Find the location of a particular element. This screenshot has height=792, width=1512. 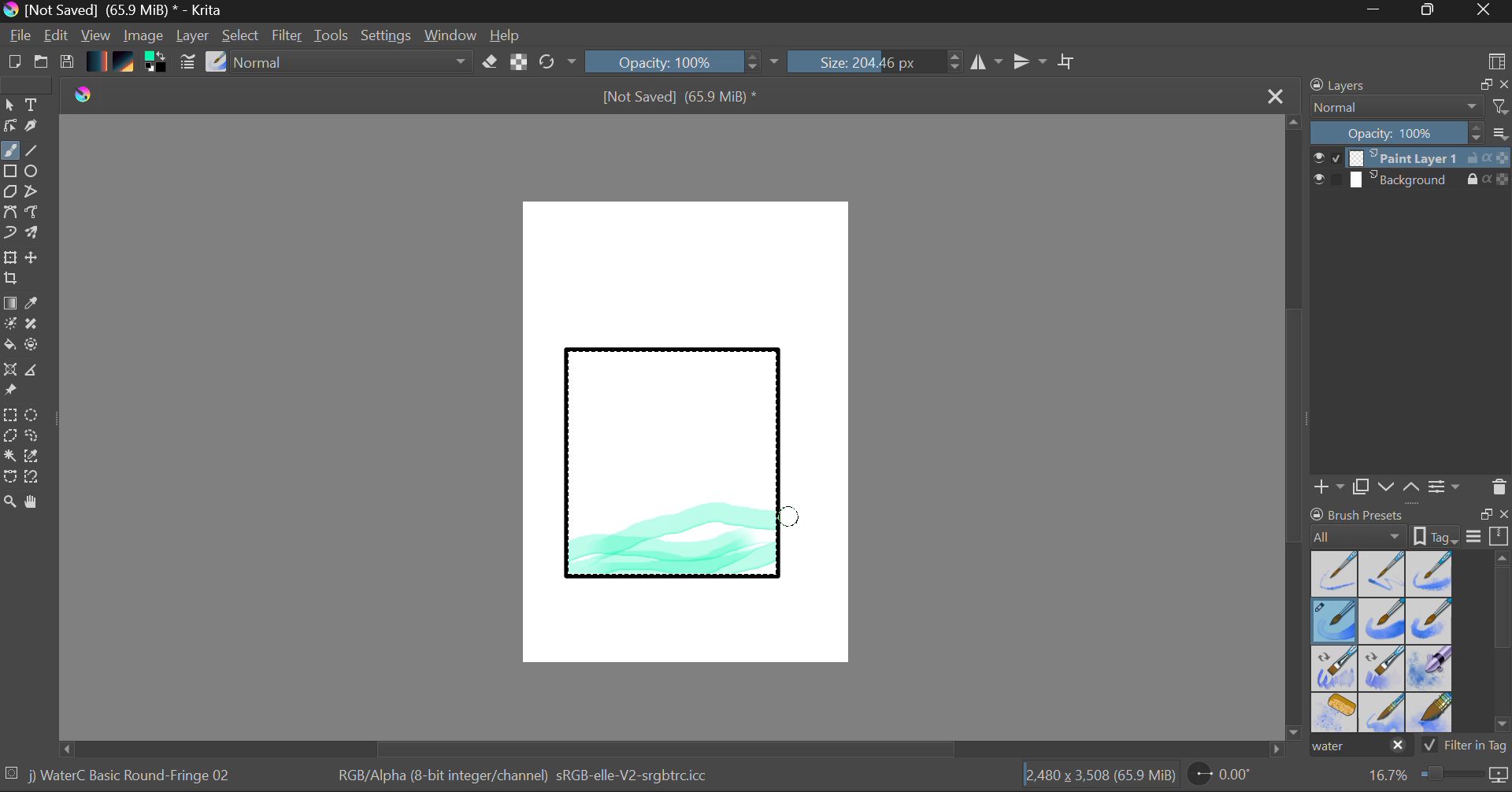

Close is located at coordinates (1485, 11).